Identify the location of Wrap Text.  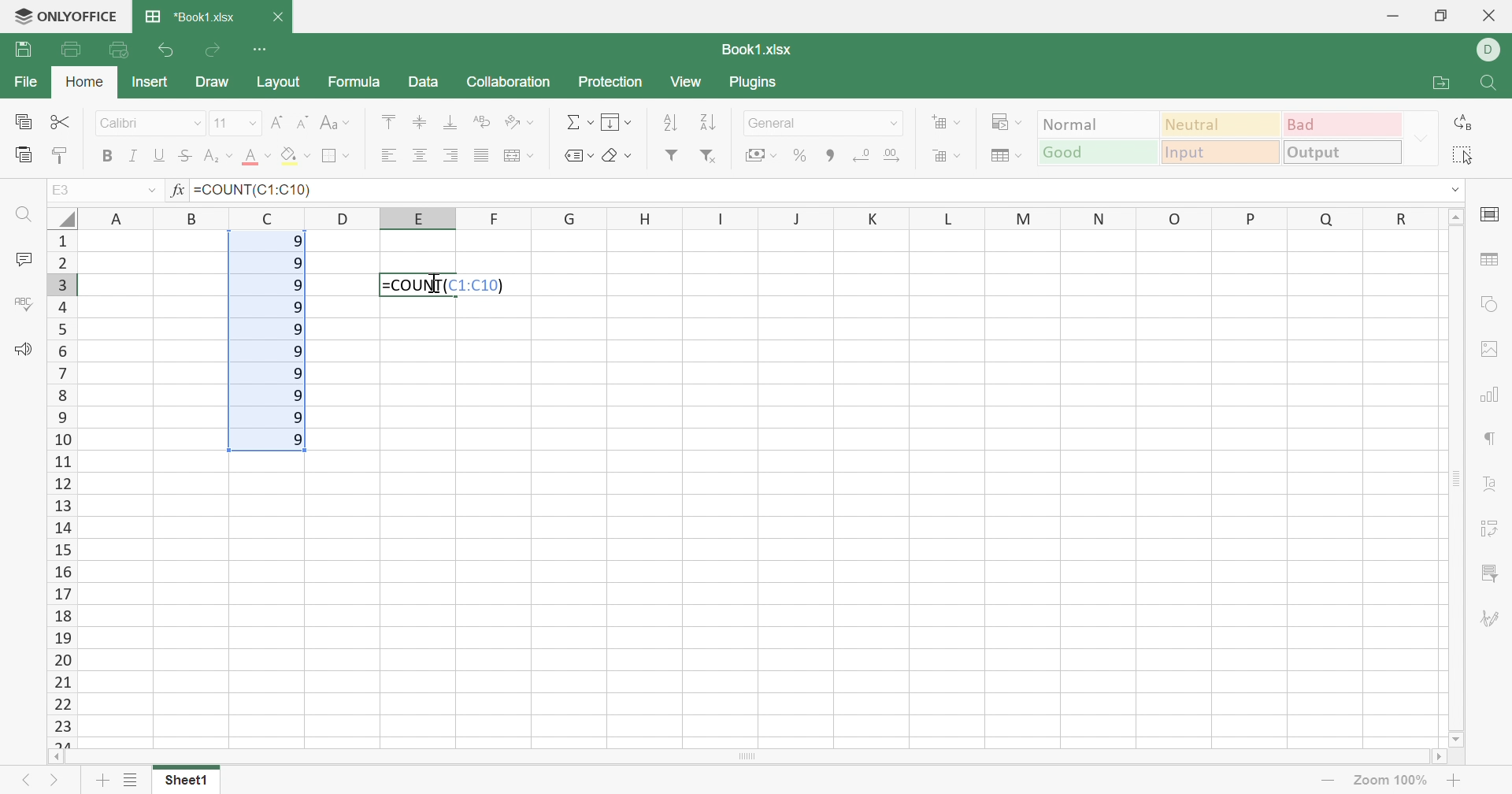
(483, 121).